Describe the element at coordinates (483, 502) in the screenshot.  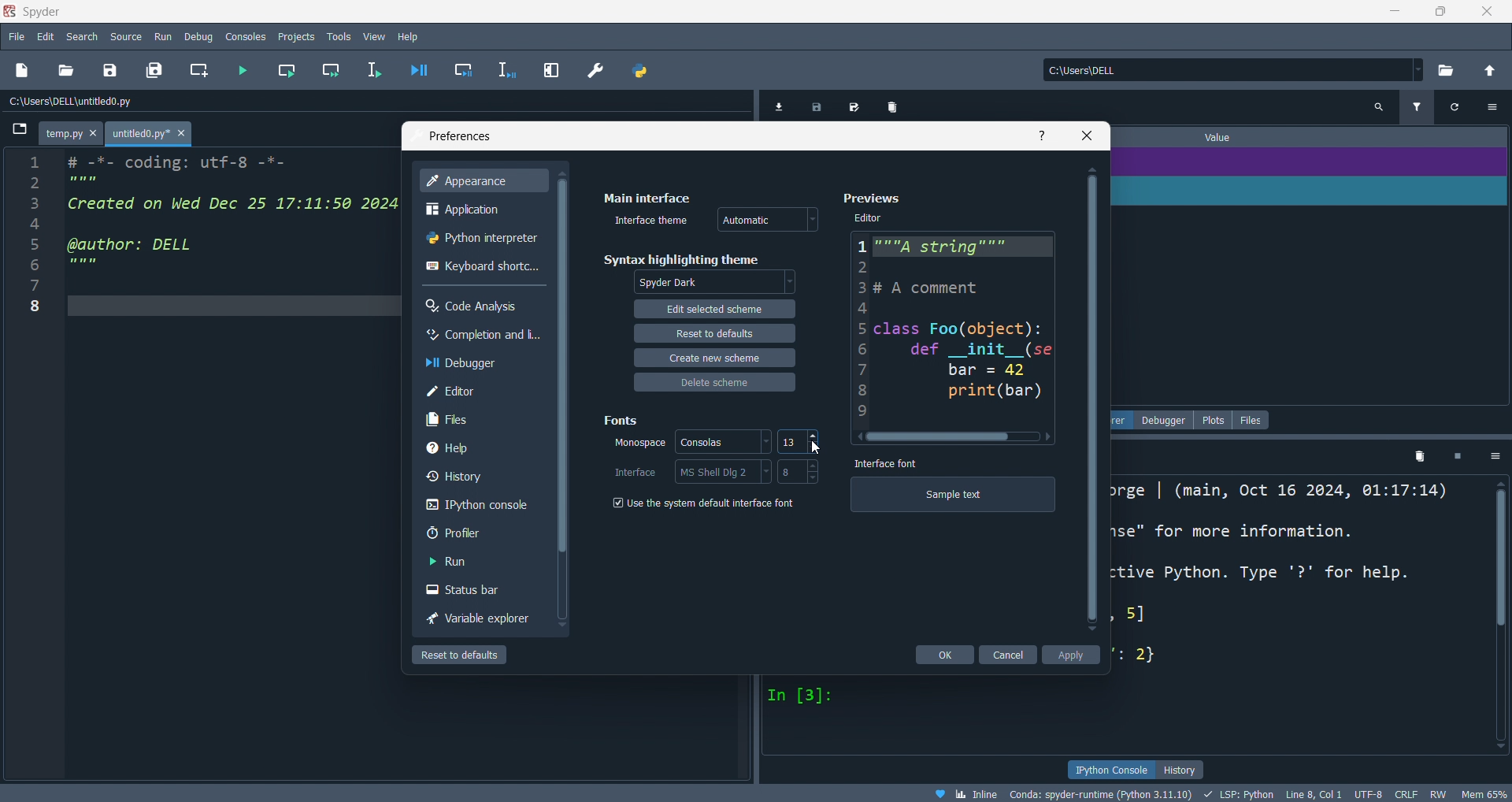
I see `console` at that location.